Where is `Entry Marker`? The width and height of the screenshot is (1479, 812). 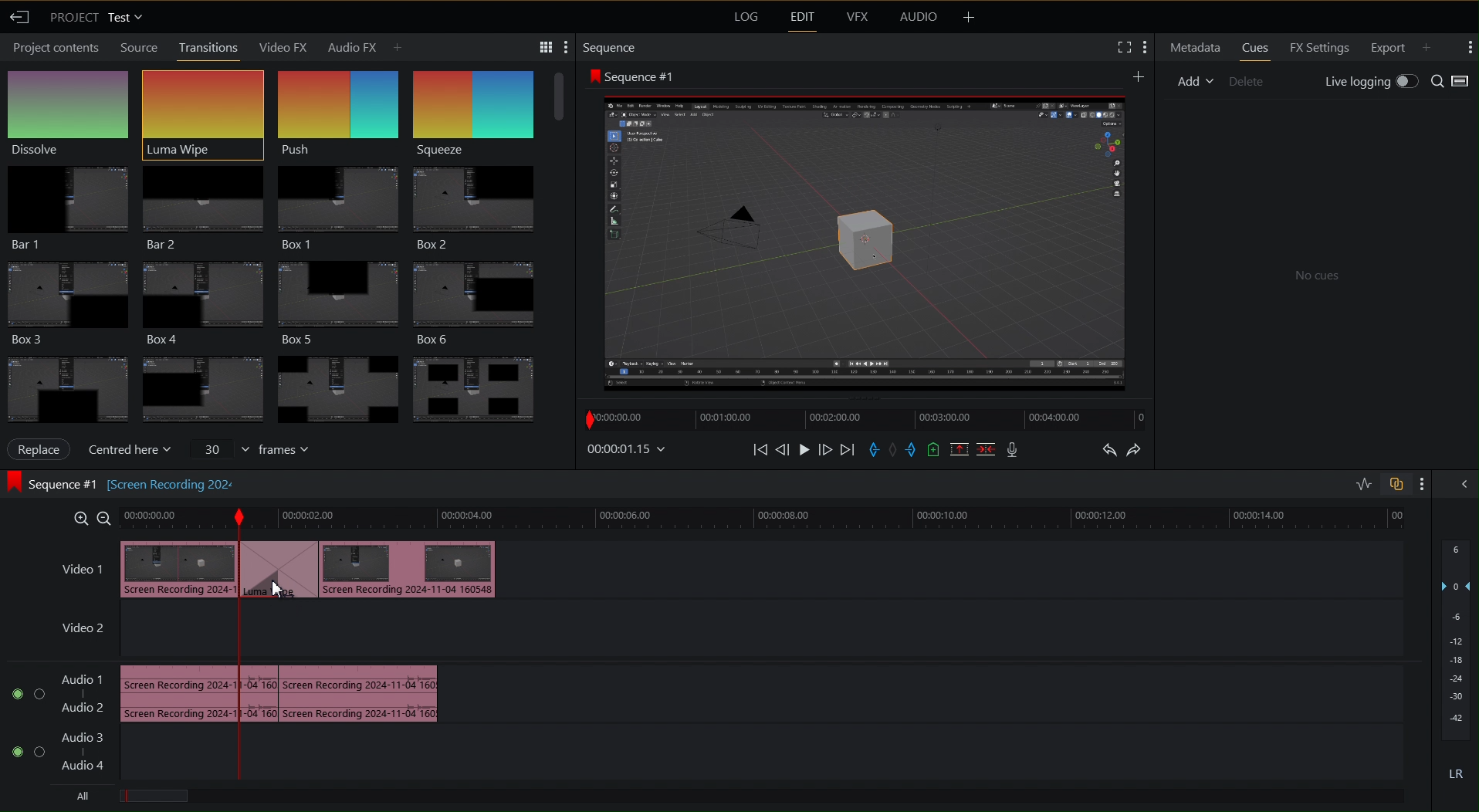
Entry Marker is located at coordinates (873, 450).